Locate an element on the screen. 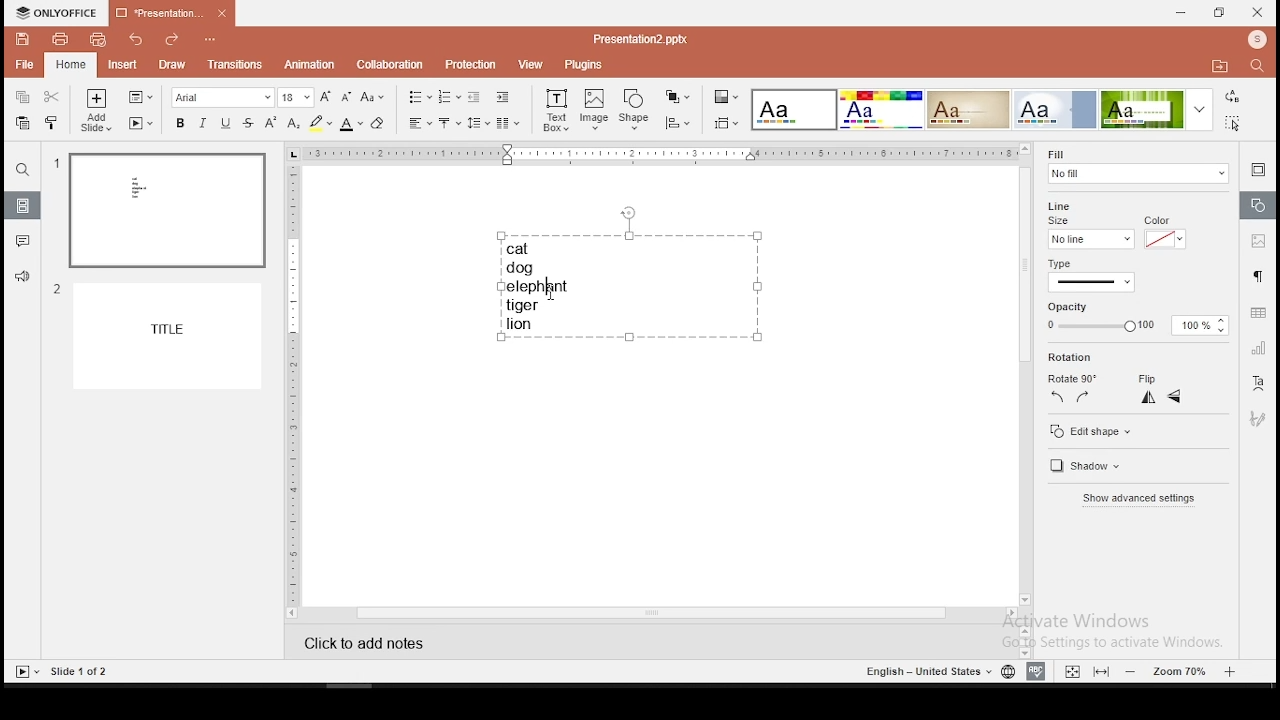 The image size is (1280, 720). cursor is located at coordinates (550, 287).